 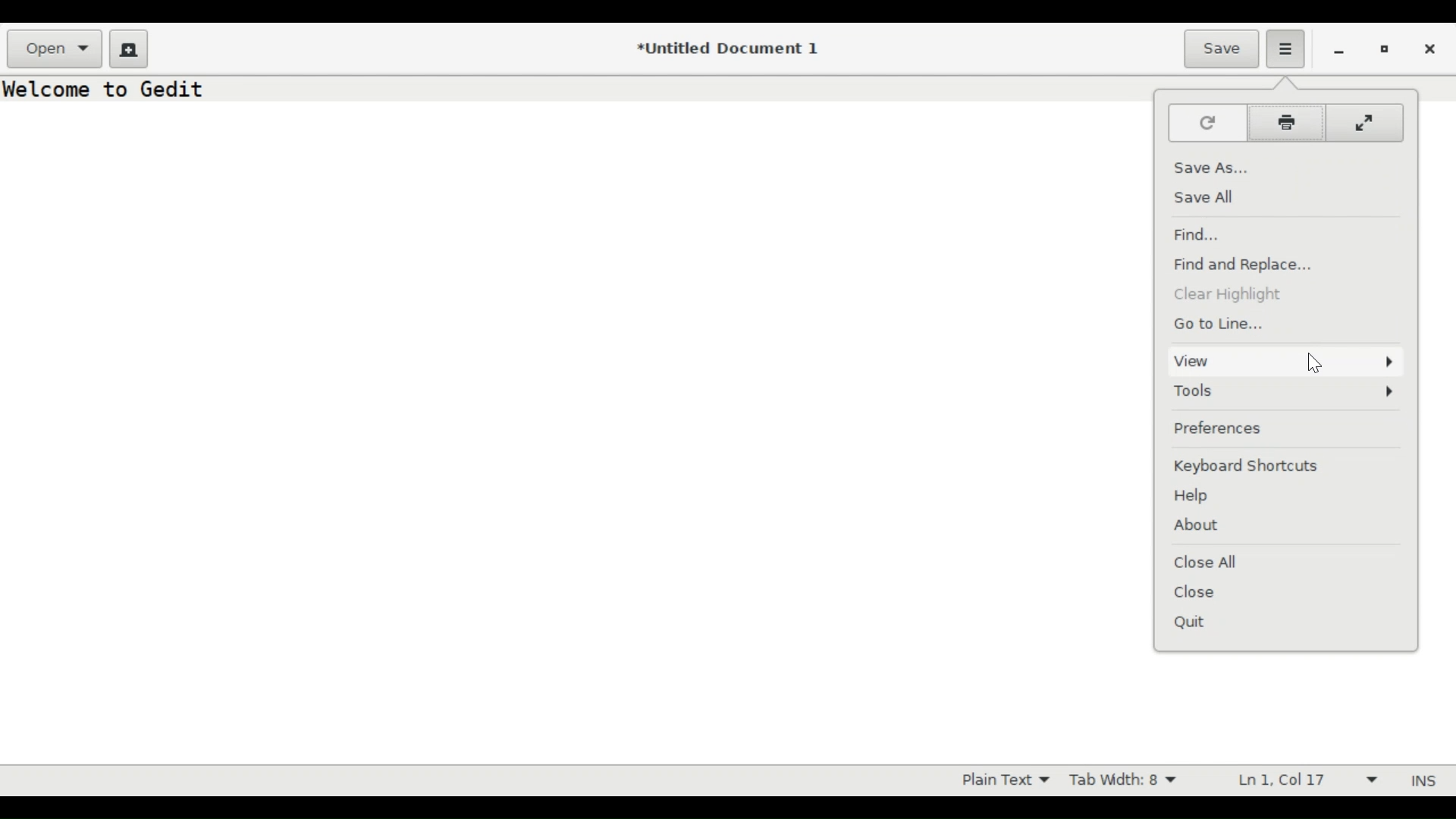 What do you see at coordinates (1222, 427) in the screenshot?
I see `Preference` at bounding box center [1222, 427].